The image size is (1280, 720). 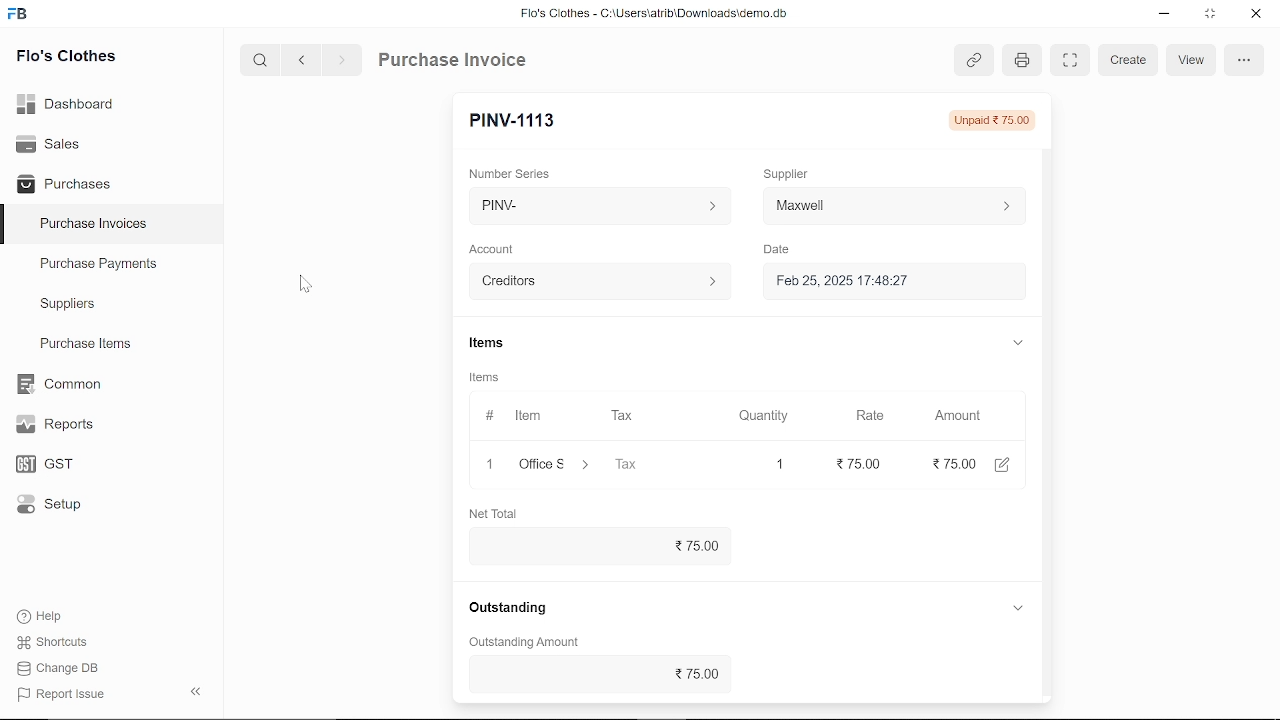 What do you see at coordinates (66, 57) in the screenshot?
I see `Flo's Clothes` at bounding box center [66, 57].